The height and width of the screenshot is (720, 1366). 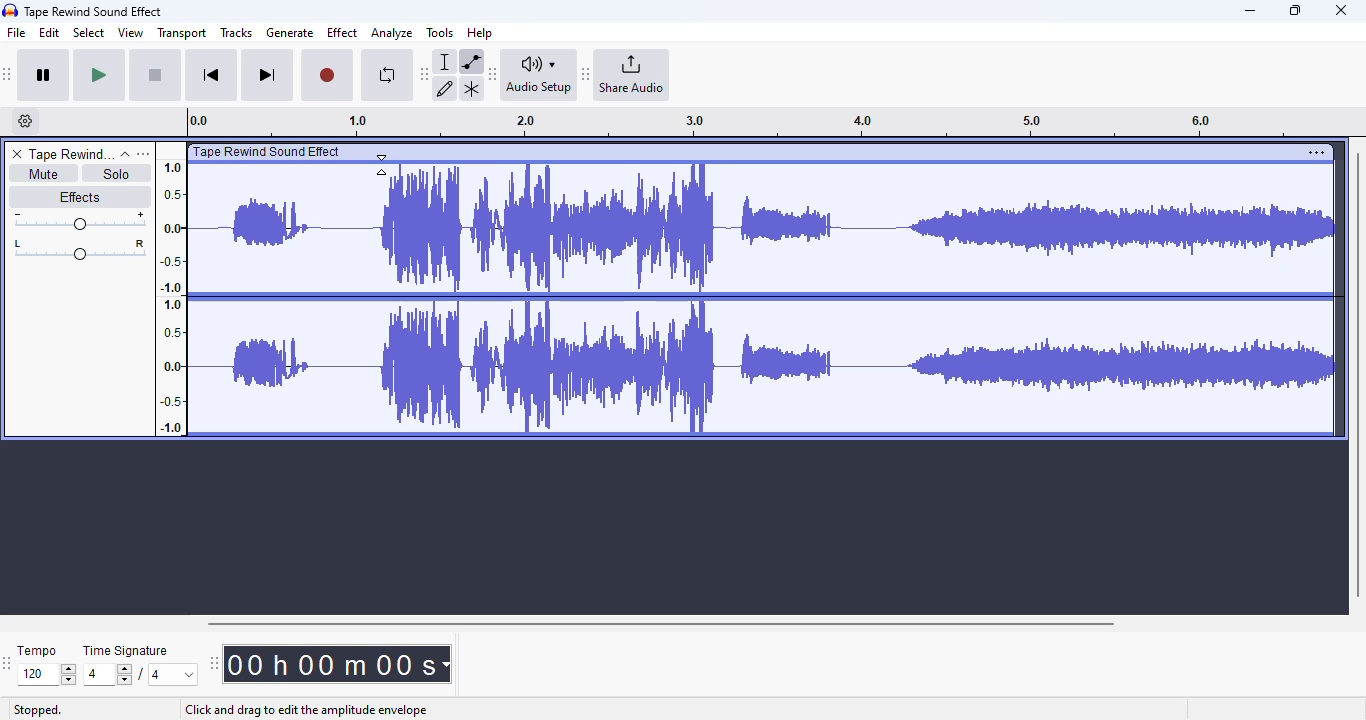 What do you see at coordinates (50, 33) in the screenshot?
I see `edit` at bounding box center [50, 33].